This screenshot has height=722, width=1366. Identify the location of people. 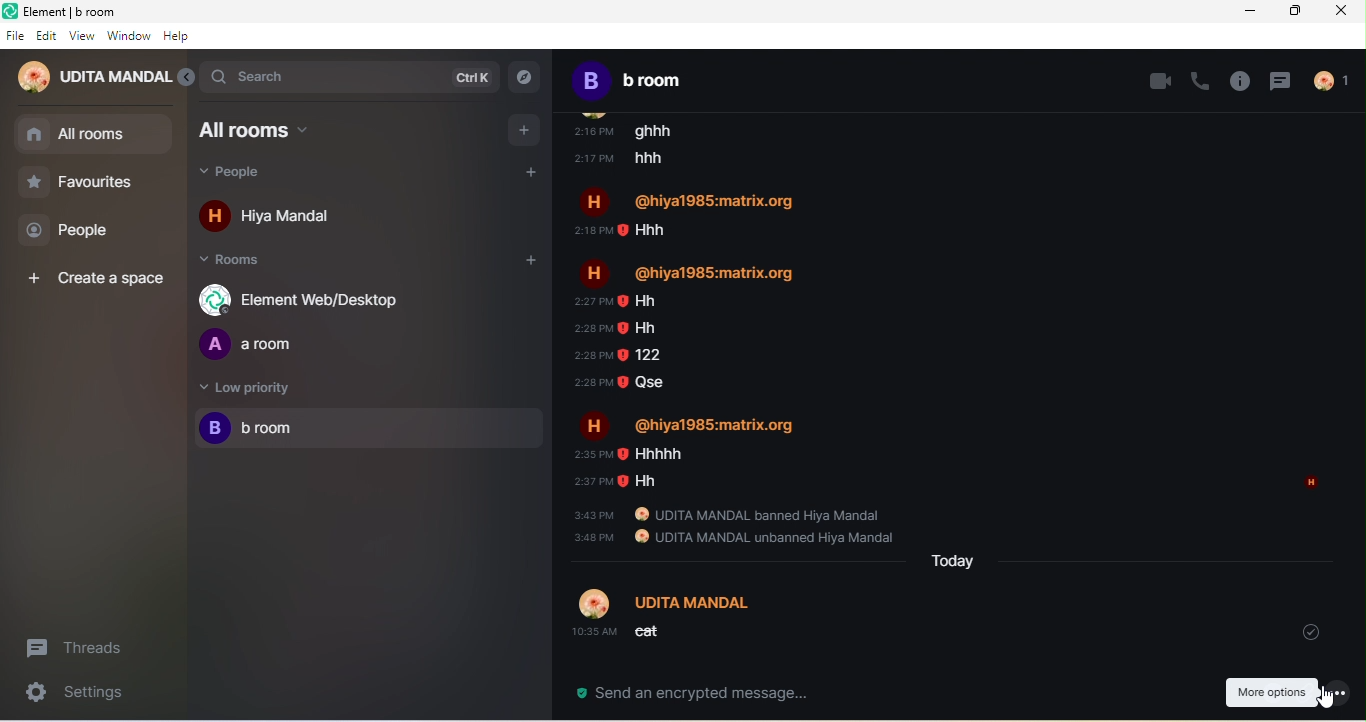
(78, 231).